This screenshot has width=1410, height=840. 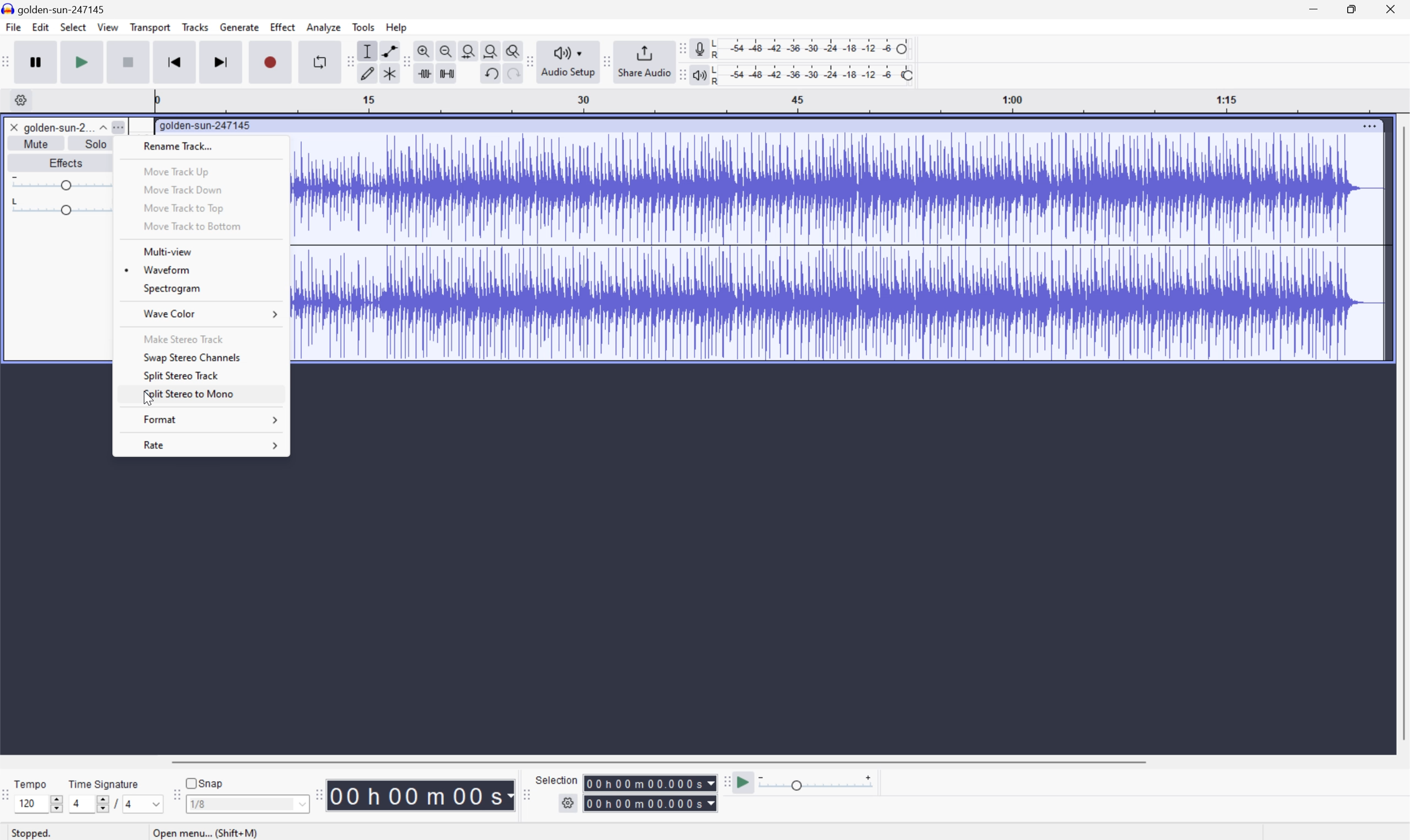 What do you see at coordinates (40, 63) in the screenshot?
I see `Pause` at bounding box center [40, 63].